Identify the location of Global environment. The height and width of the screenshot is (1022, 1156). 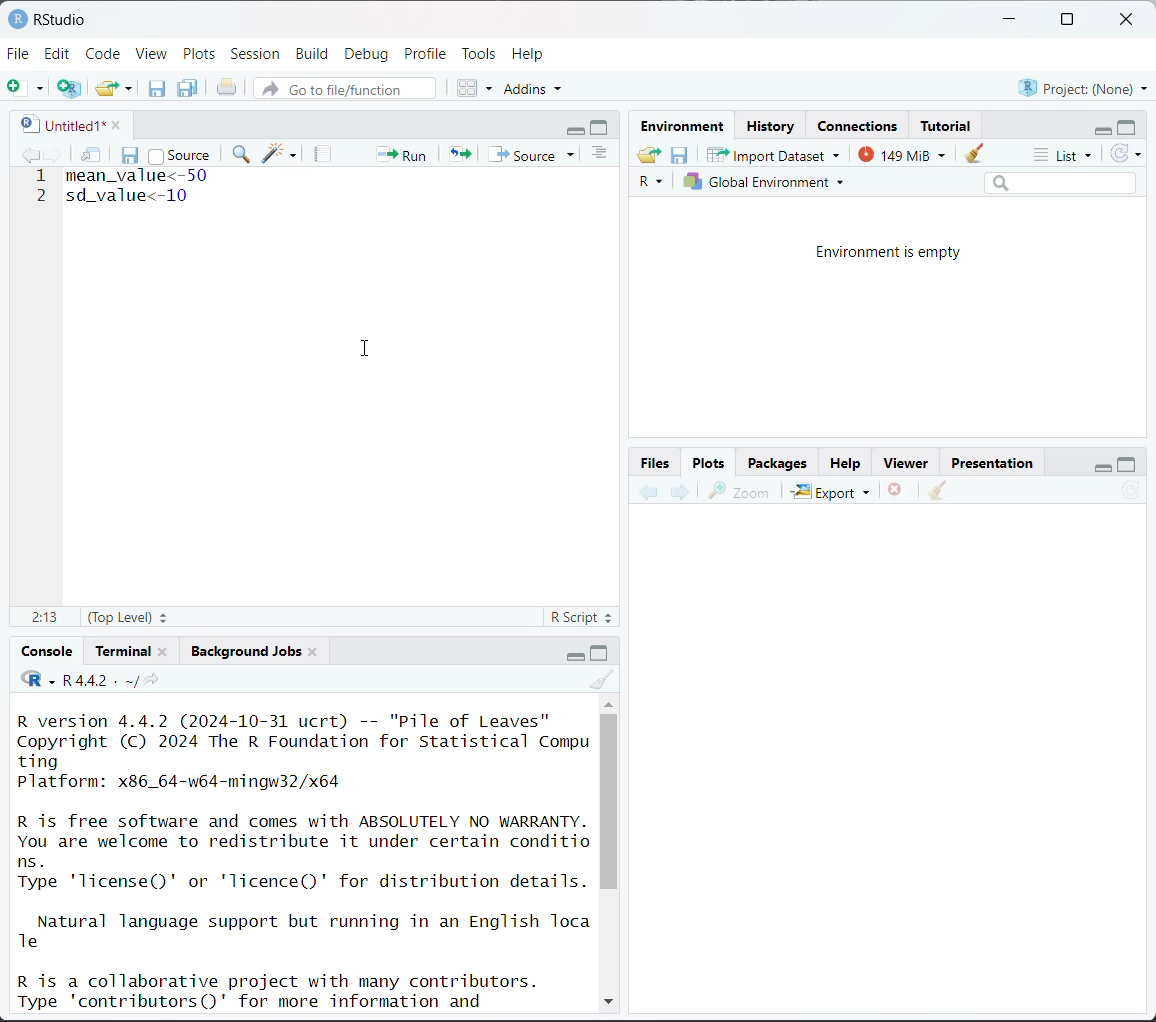
(765, 182).